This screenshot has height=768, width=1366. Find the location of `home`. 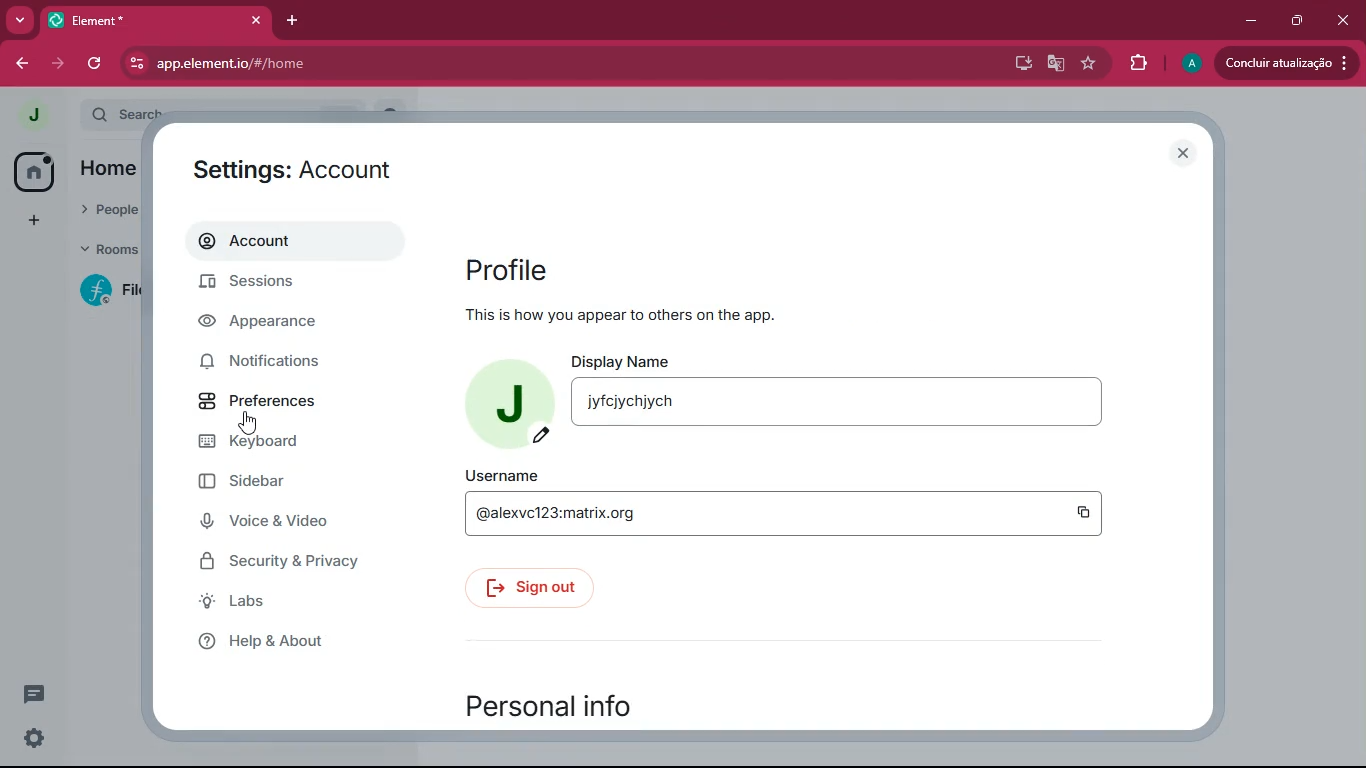

home is located at coordinates (108, 170).